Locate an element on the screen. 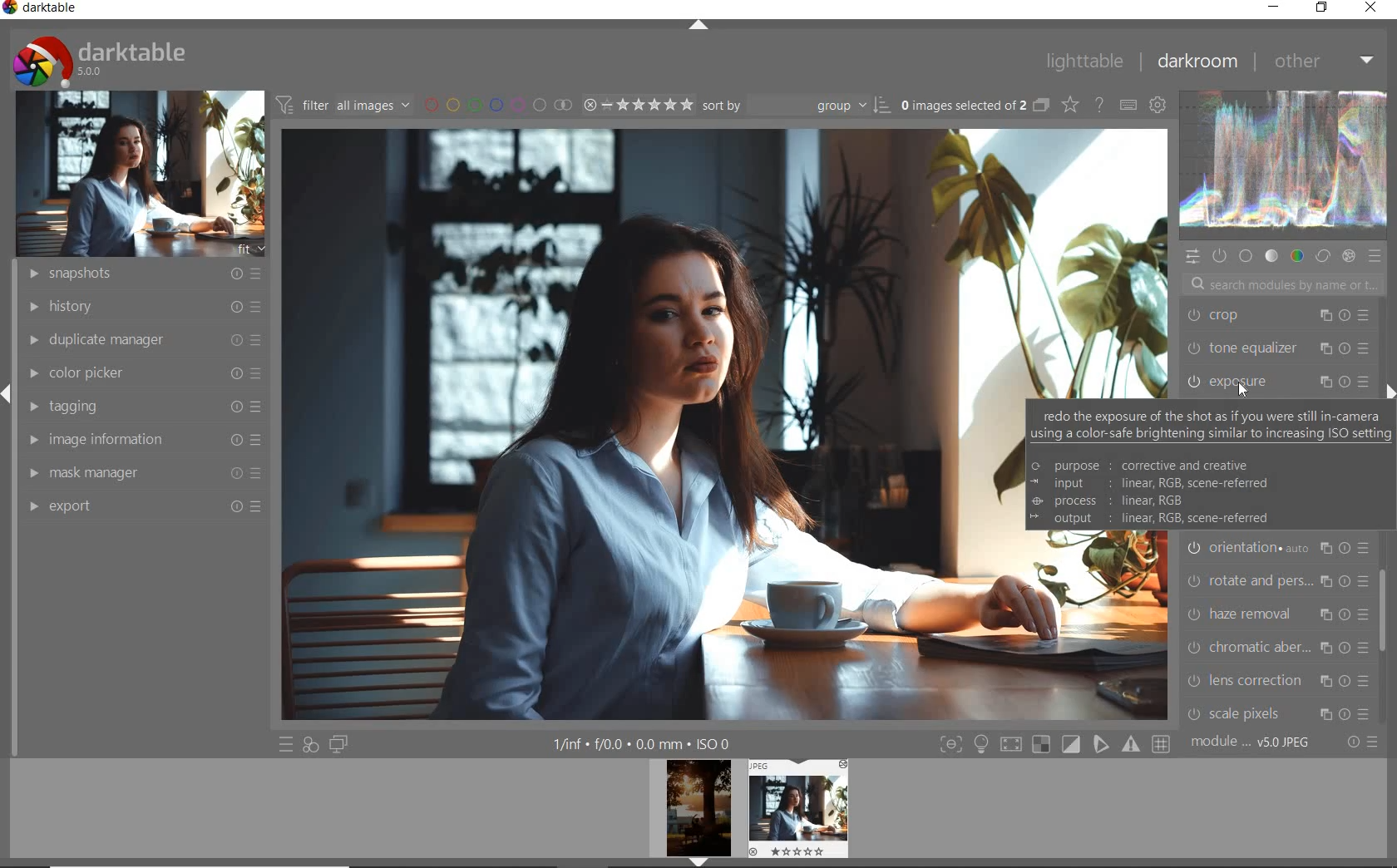  FILTER IMAGE is located at coordinates (339, 105).